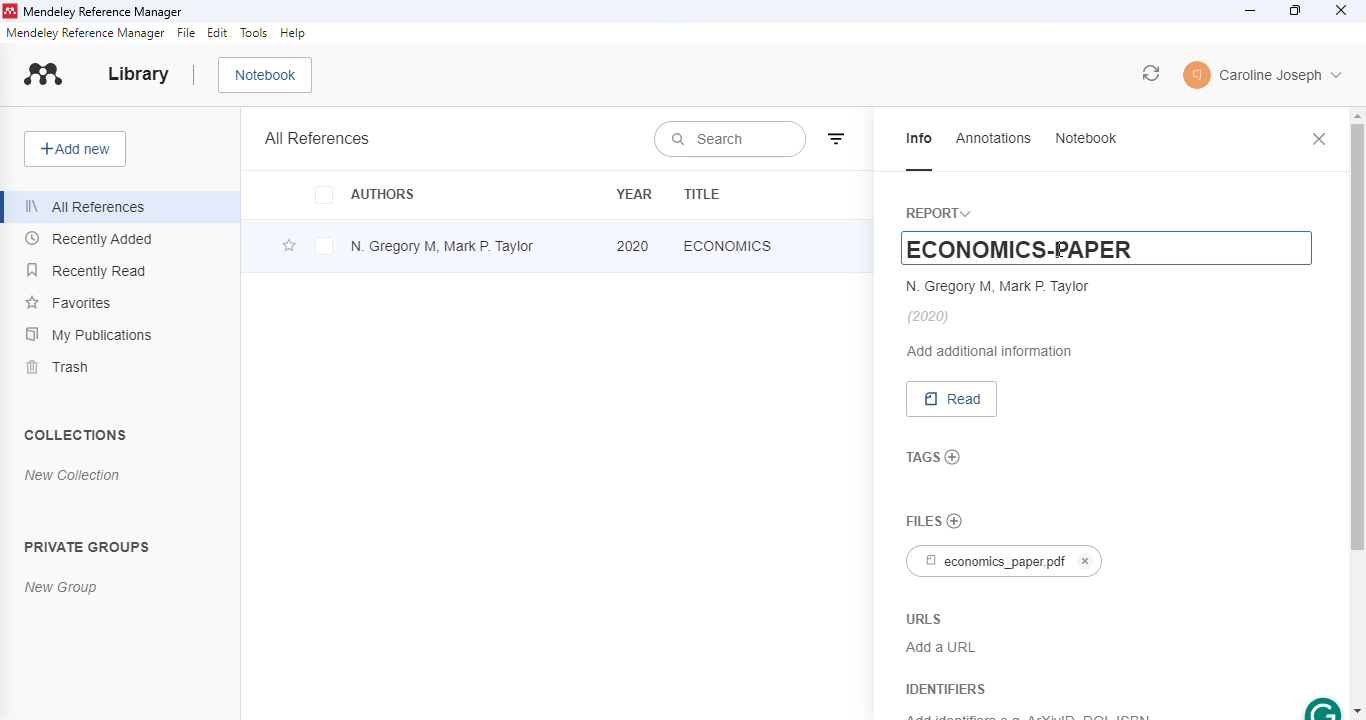  I want to click on maximize, so click(1295, 11).